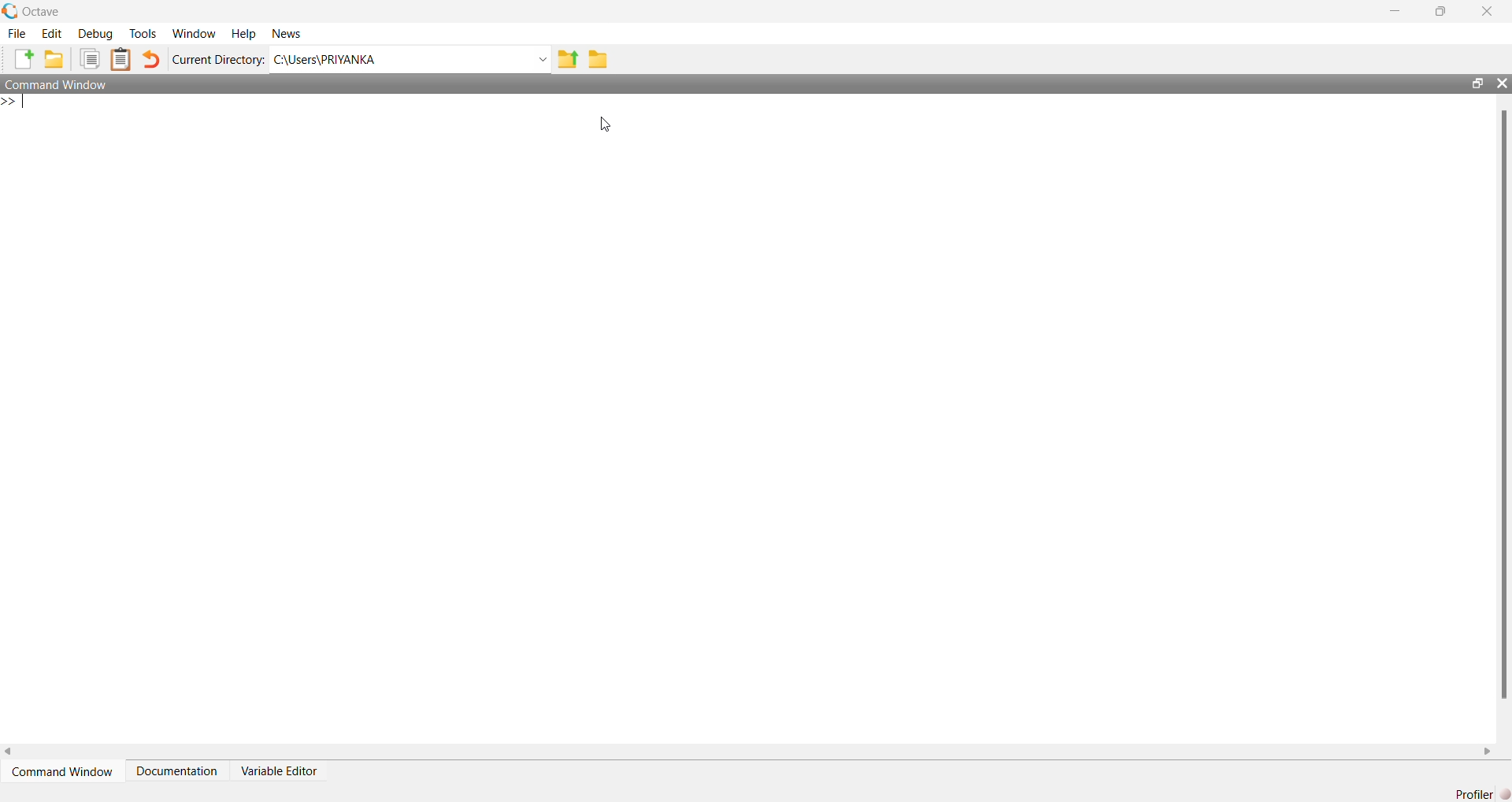  What do you see at coordinates (17, 34) in the screenshot?
I see `File` at bounding box center [17, 34].